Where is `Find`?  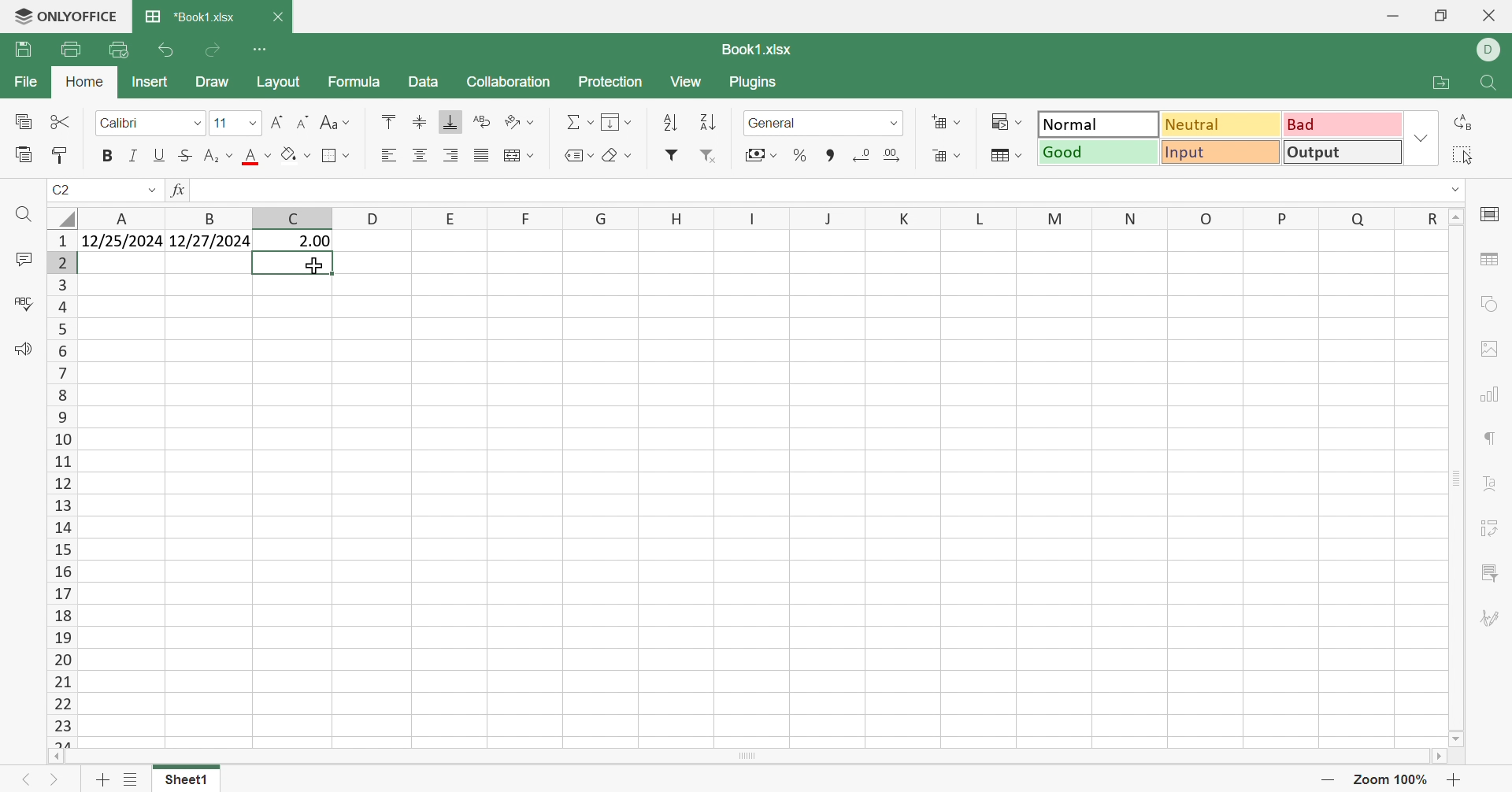 Find is located at coordinates (1490, 83).